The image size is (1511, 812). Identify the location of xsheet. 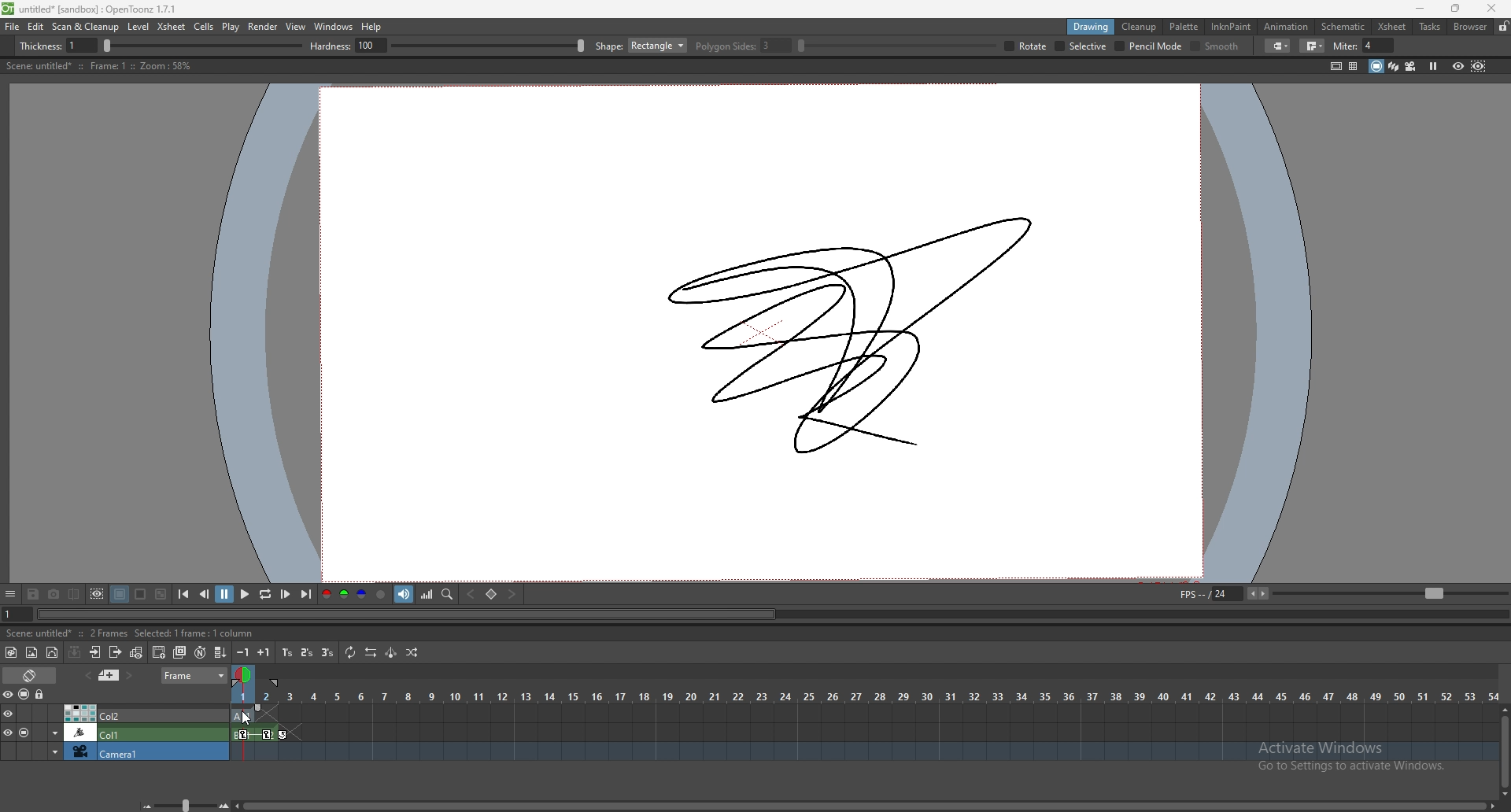
(172, 26).